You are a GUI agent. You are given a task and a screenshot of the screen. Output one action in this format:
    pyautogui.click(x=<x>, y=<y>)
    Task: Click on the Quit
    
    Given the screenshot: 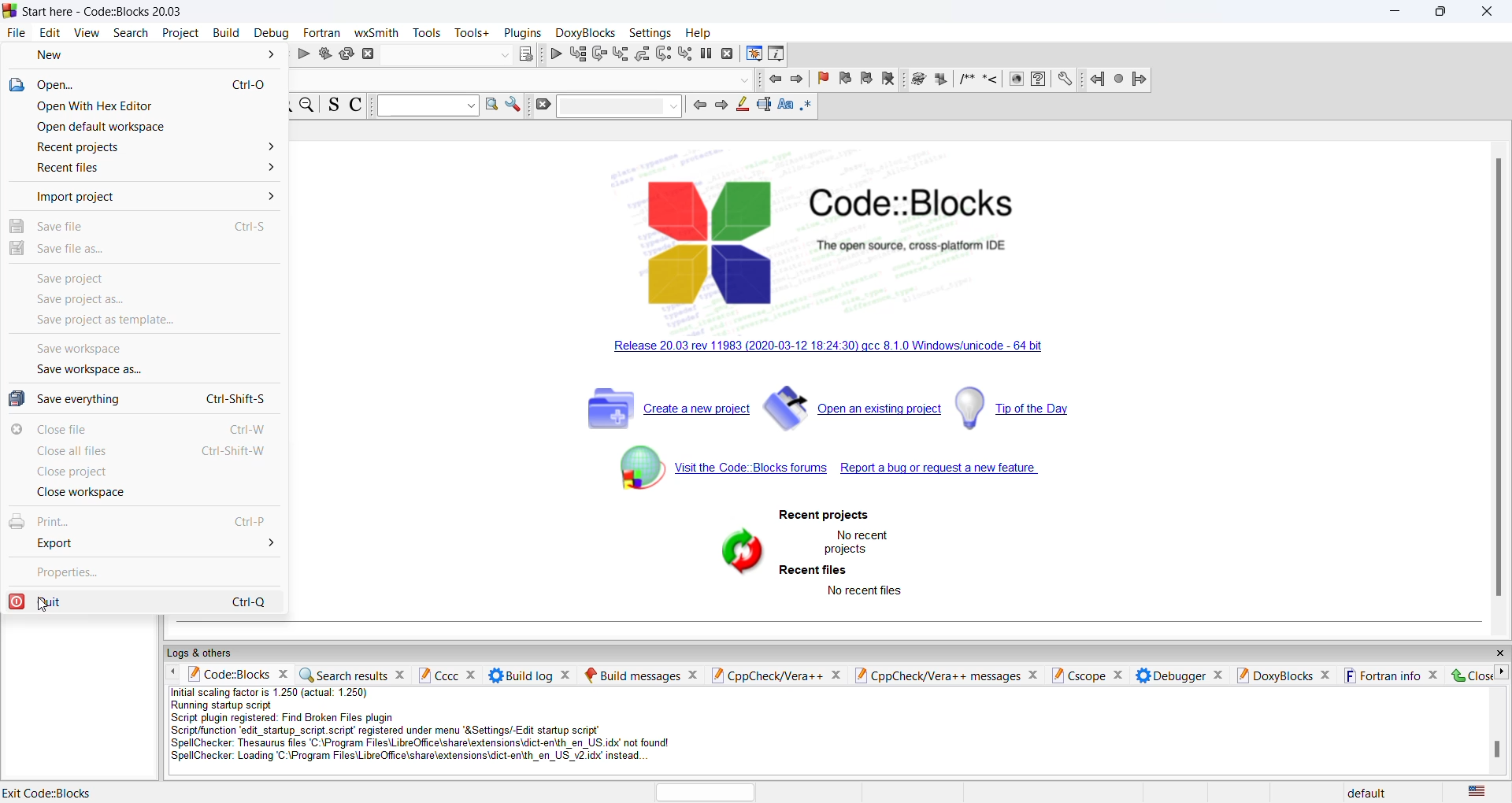 What is the action you would take?
    pyautogui.click(x=66, y=601)
    